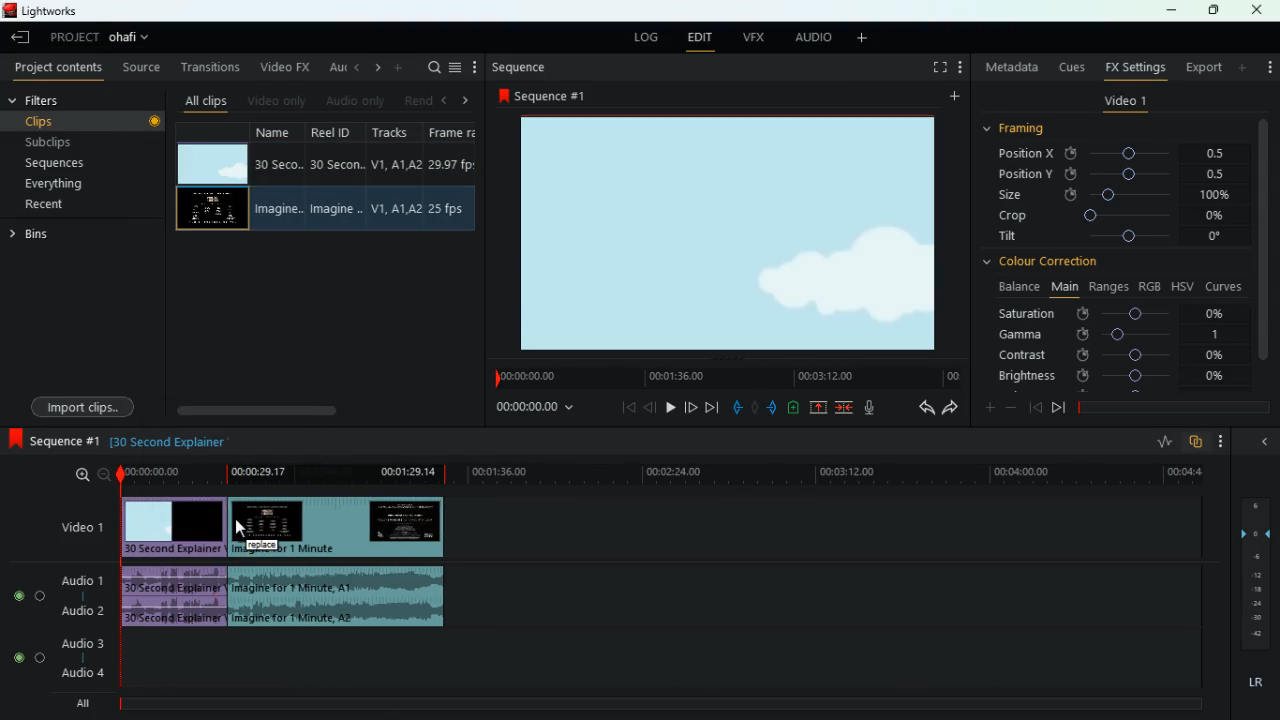 The image size is (1280, 720). I want to click on minus, so click(1014, 408).